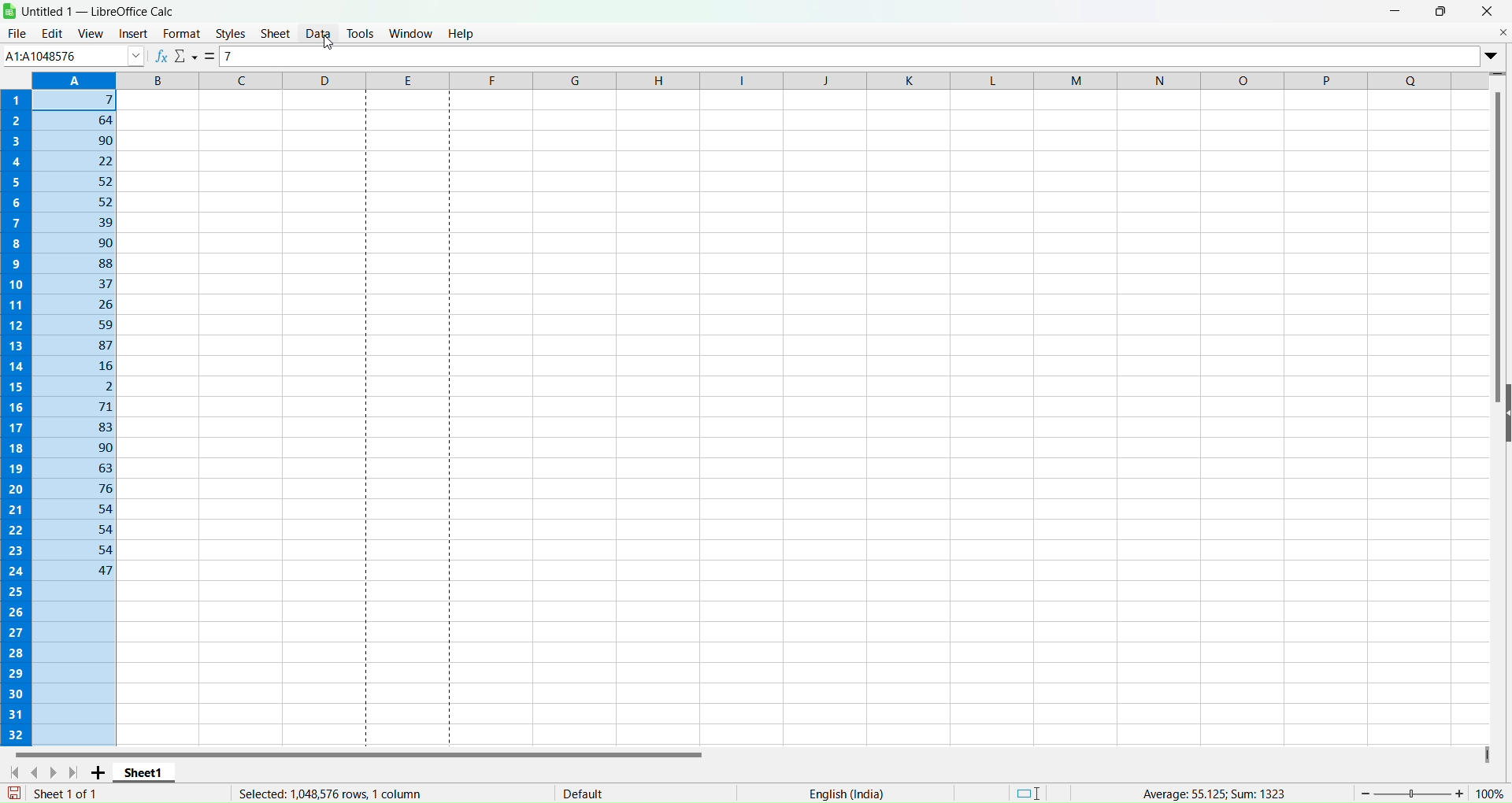 This screenshot has width=1512, height=803. What do you see at coordinates (57, 772) in the screenshot?
I see `Next` at bounding box center [57, 772].